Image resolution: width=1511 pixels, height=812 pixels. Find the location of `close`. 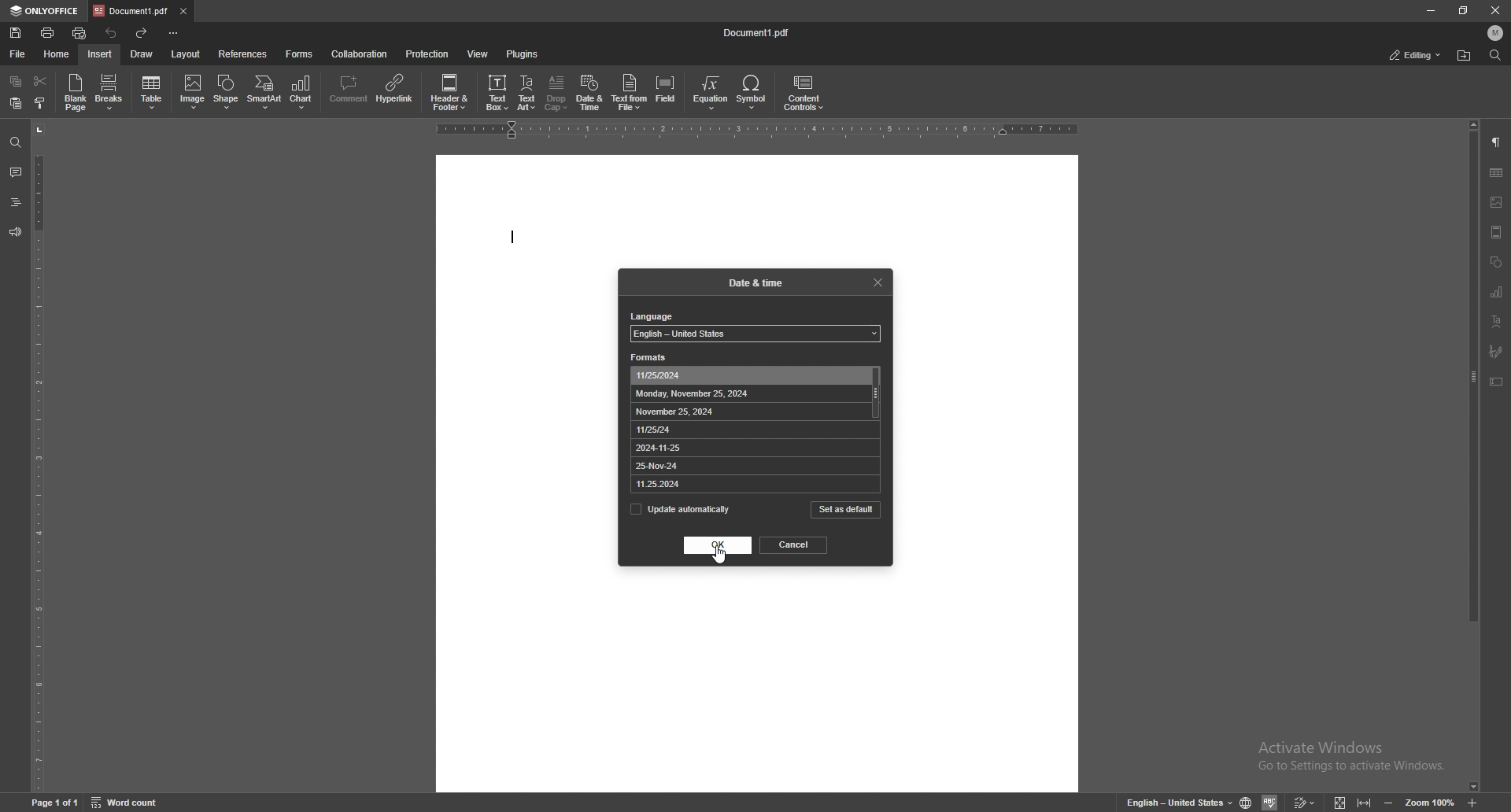

close is located at coordinates (1494, 10).